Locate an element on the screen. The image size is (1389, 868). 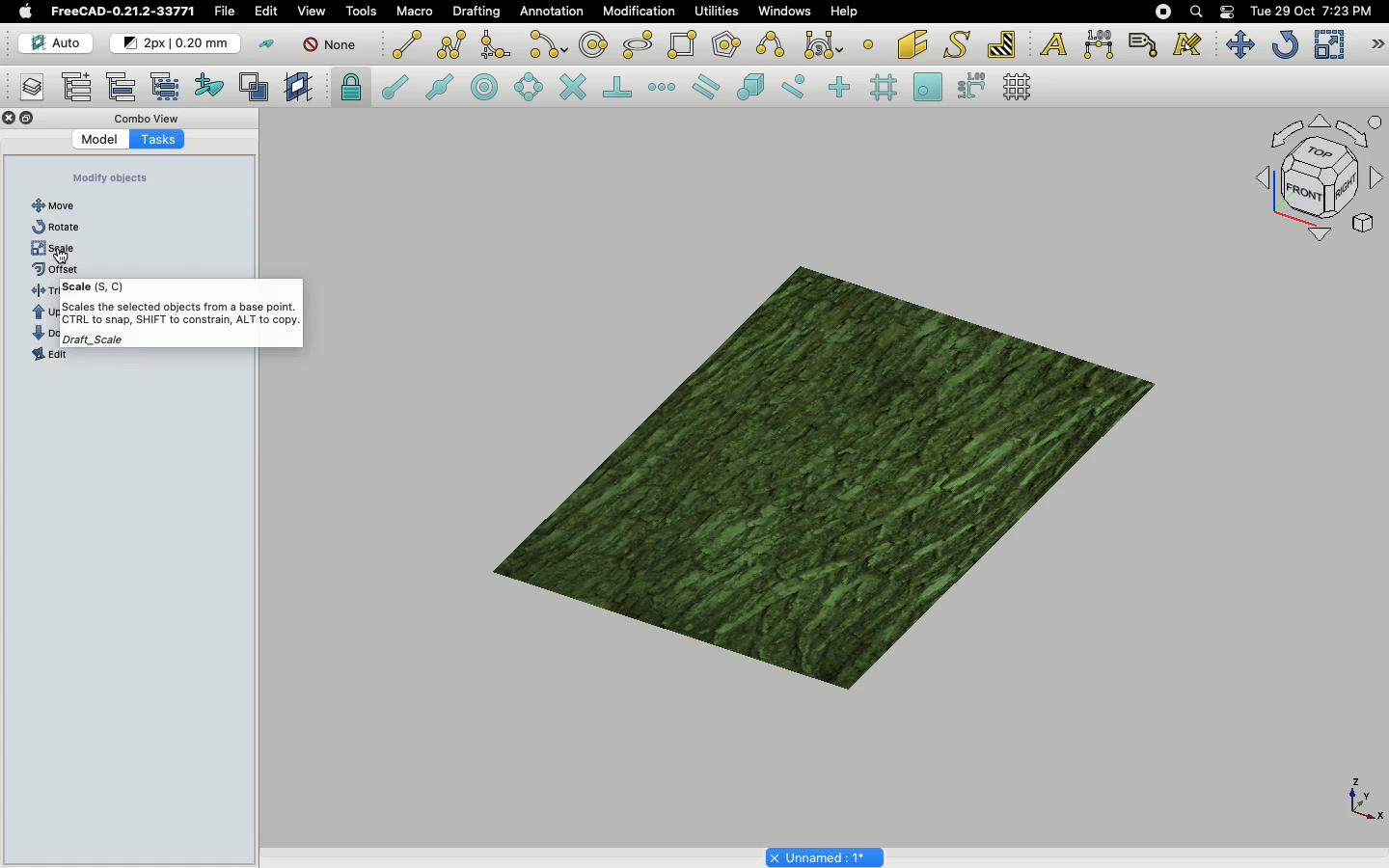
Manage layers is located at coordinates (25, 88).